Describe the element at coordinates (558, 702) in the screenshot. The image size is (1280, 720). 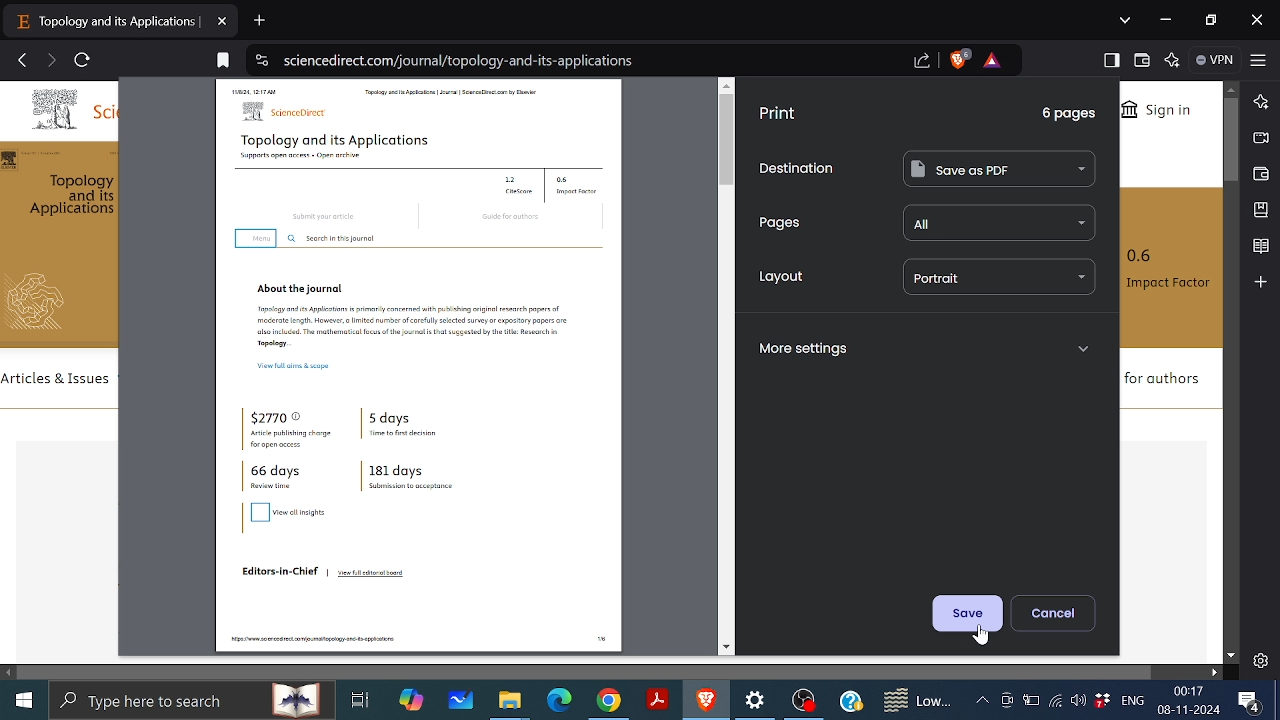
I see `Microsoft edge` at that location.